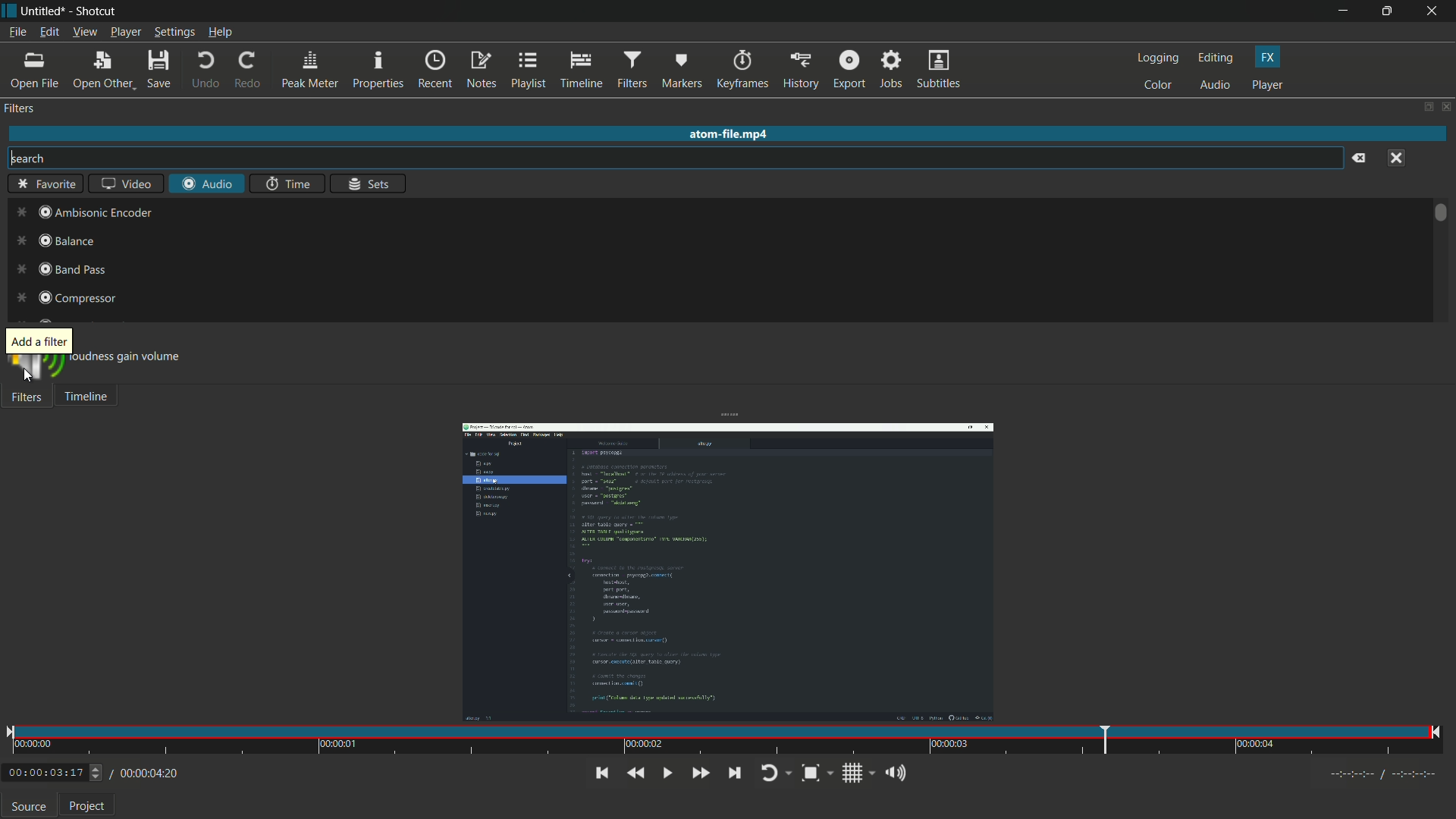 The image size is (1456, 819). What do you see at coordinates (79, 209) in the screenshot?
I see `ambisonic encoder` at bounding box center [79, 209].